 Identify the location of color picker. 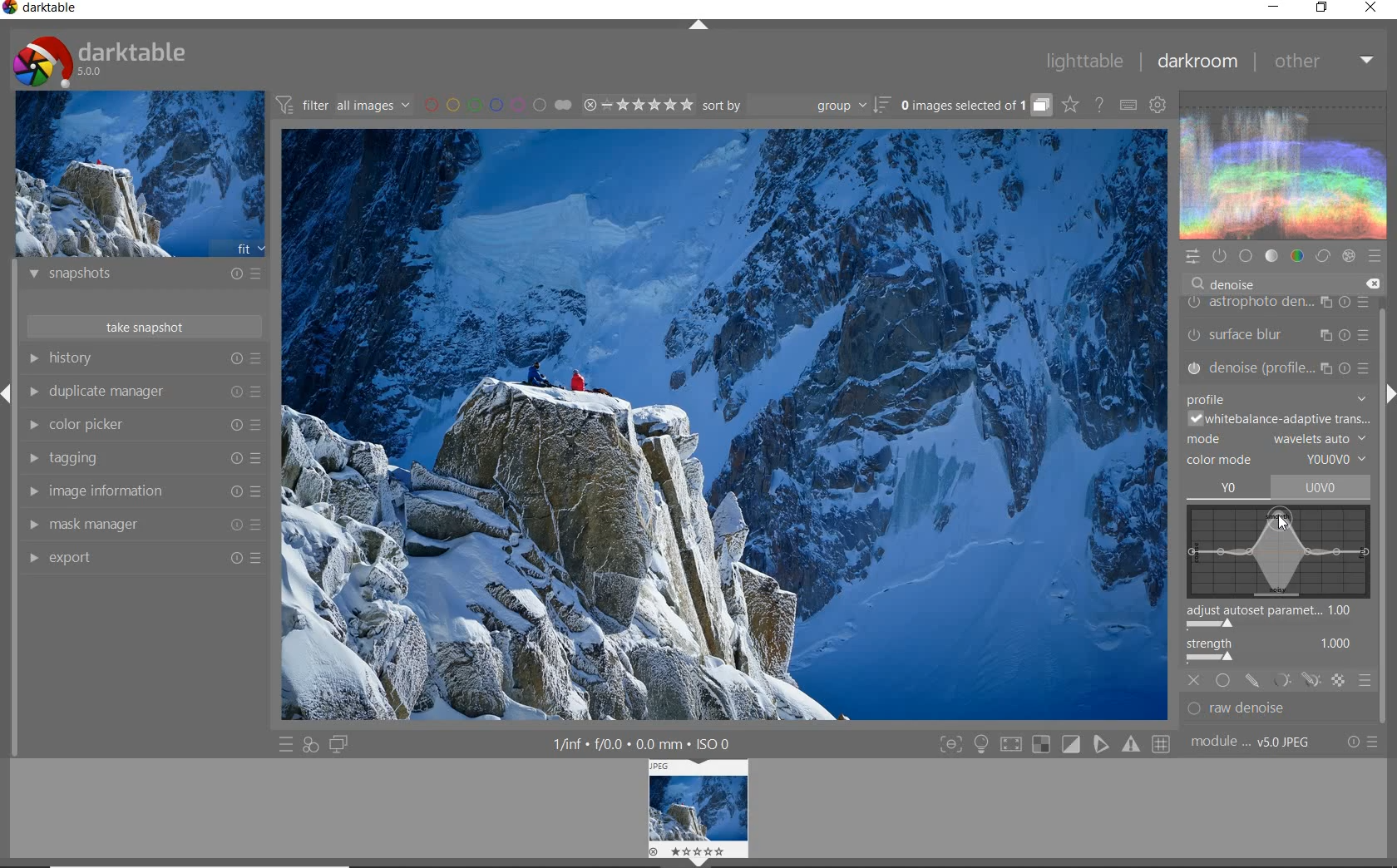
(141, 425).